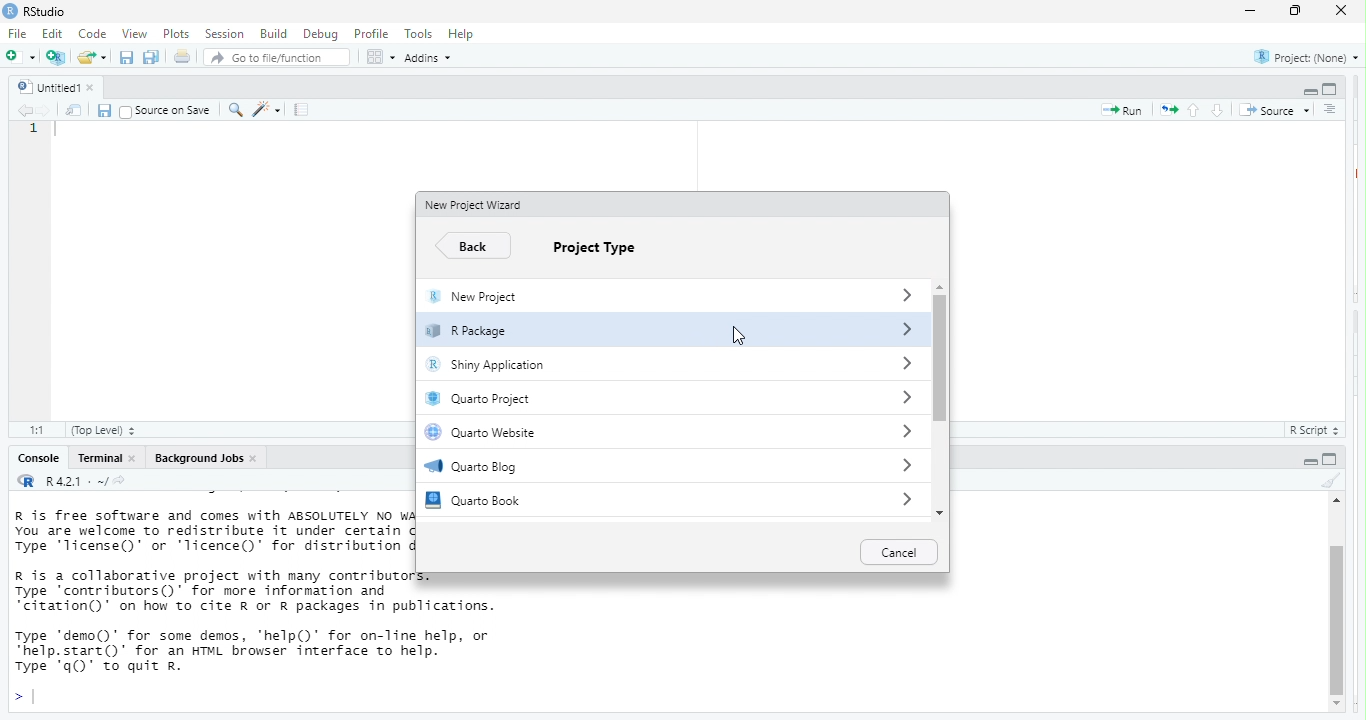  Describe the element at coordinates (98, 87) in the screenshot. I see `close` at that location.